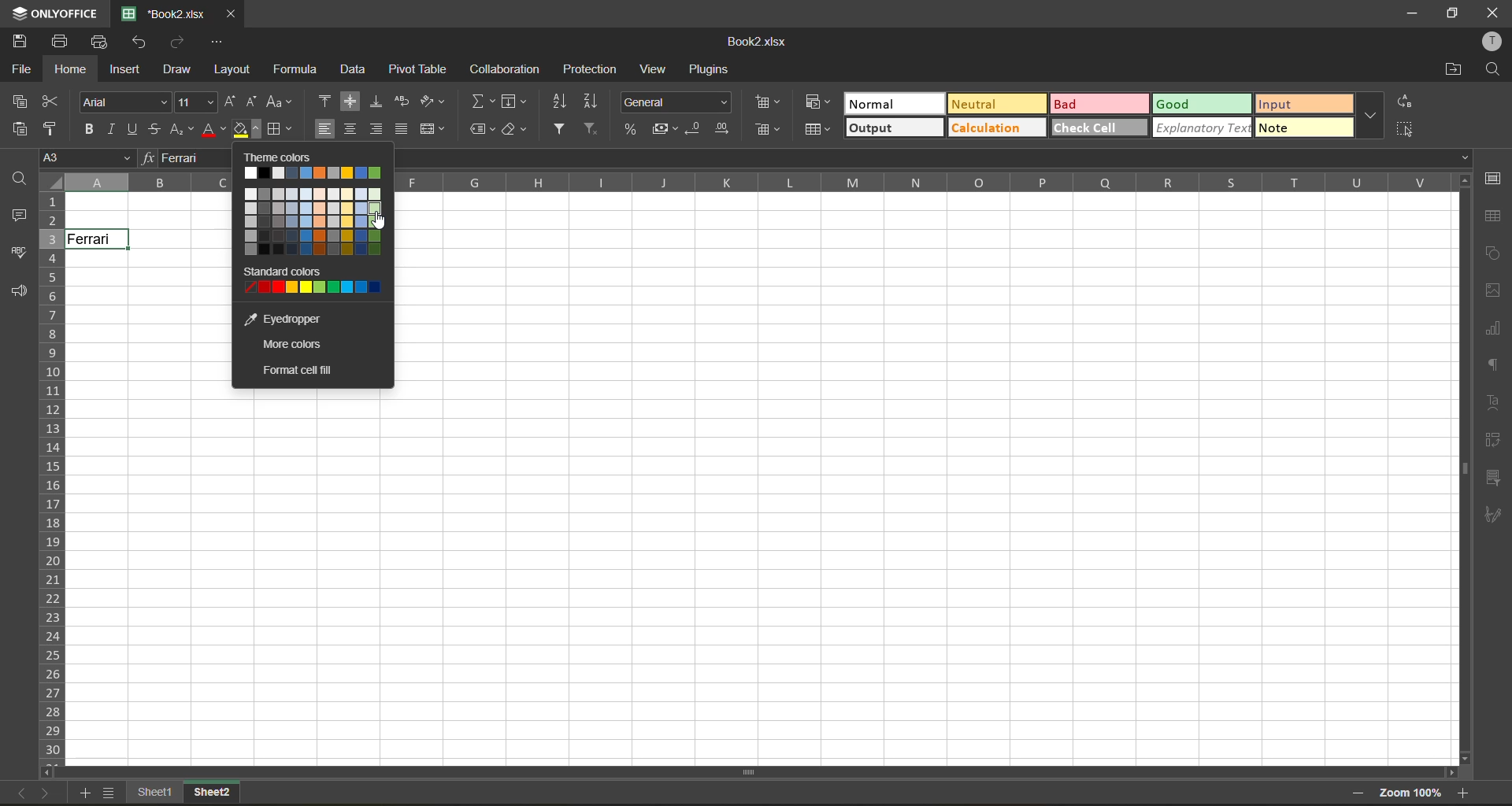 This screenshot has height=806, width=1512. Describe the element at coordinates (1464, 792) in the screenshot. I see `zoom in` at that location.